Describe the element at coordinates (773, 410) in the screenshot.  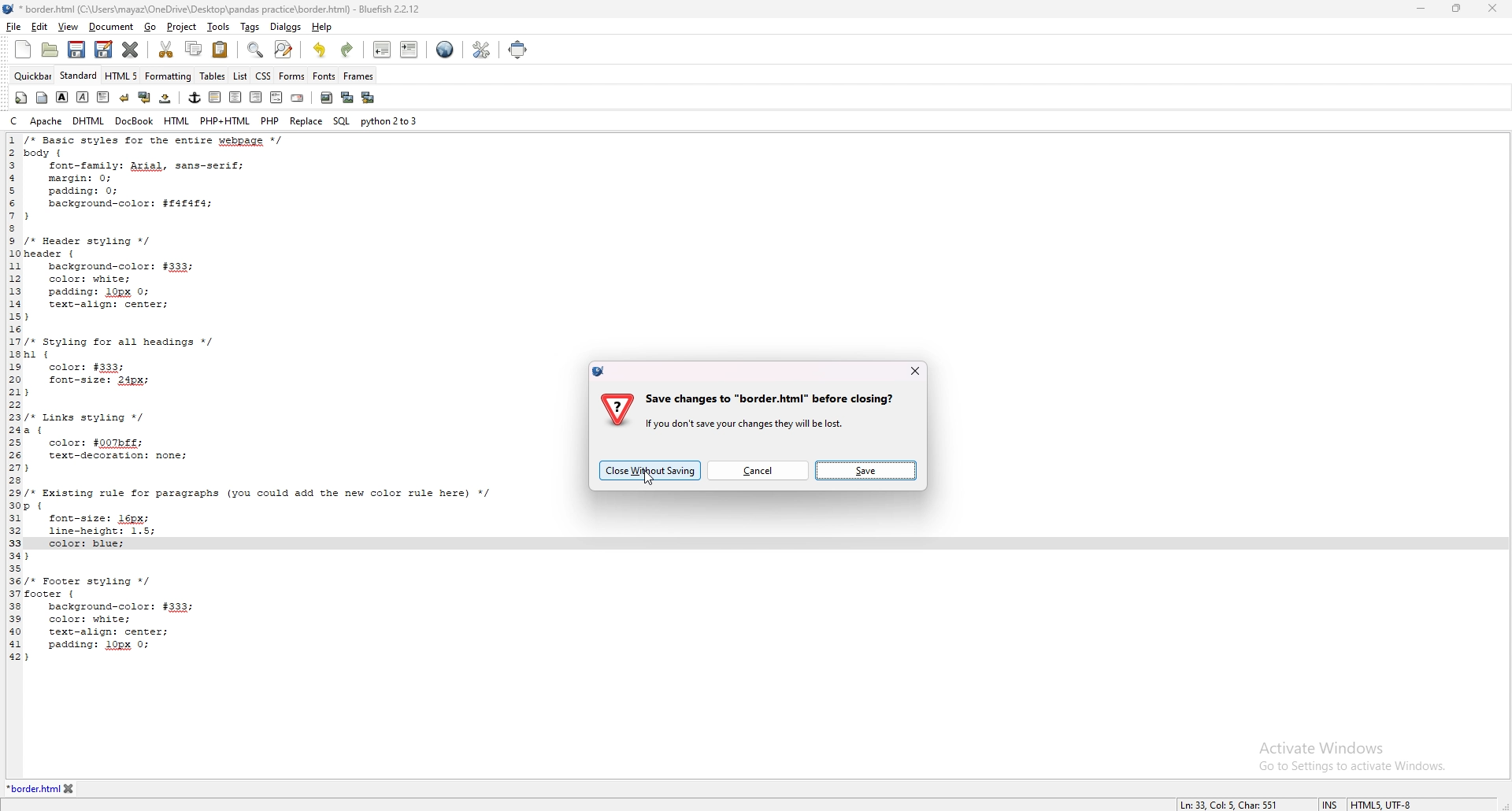
I see `warning message` at that location.